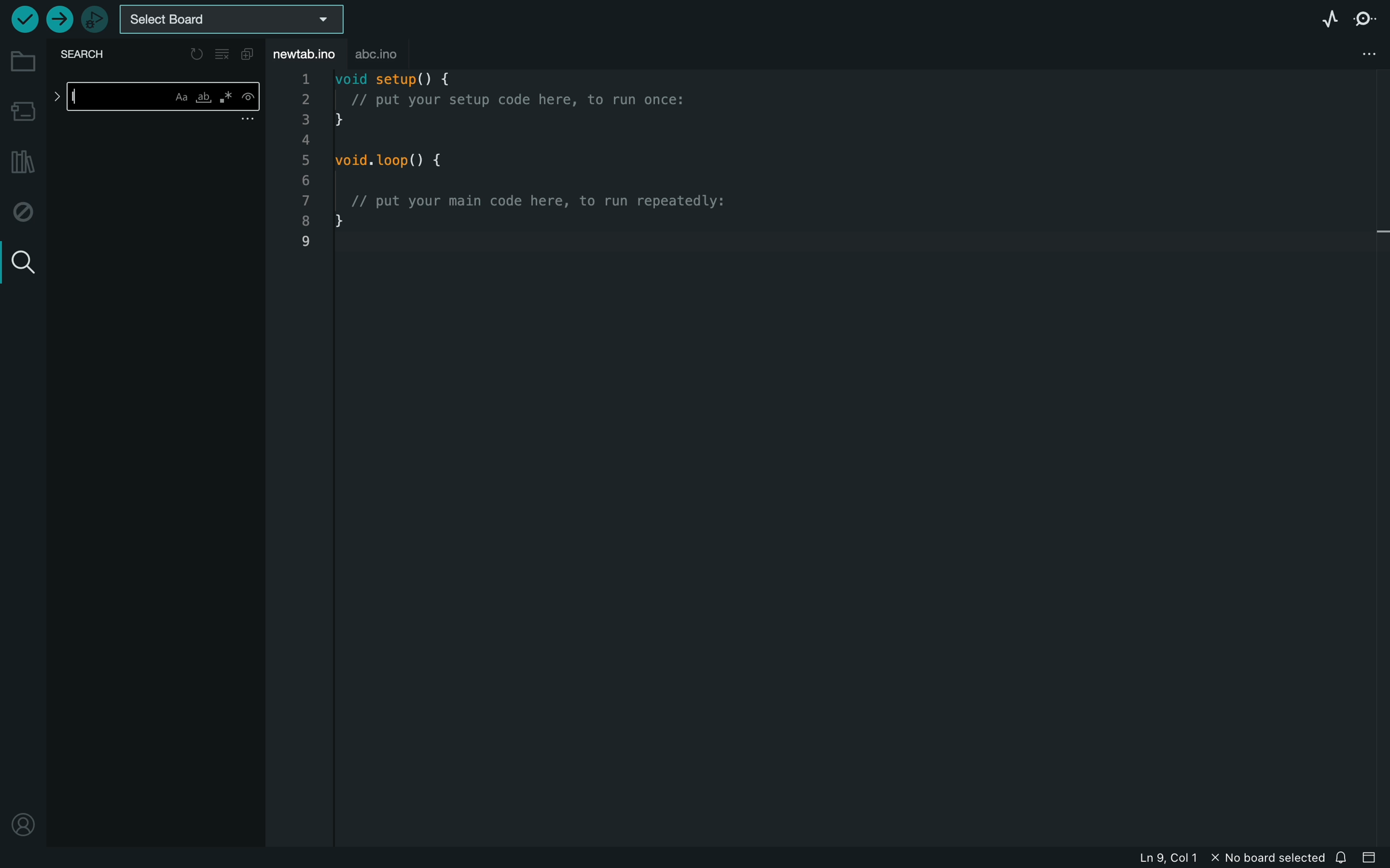 This screenshot has height=868, width=1390. What do you see at coordinates (1354, 55) in the screenshot?
I see `file setting` at bounding box center [1354, 55].